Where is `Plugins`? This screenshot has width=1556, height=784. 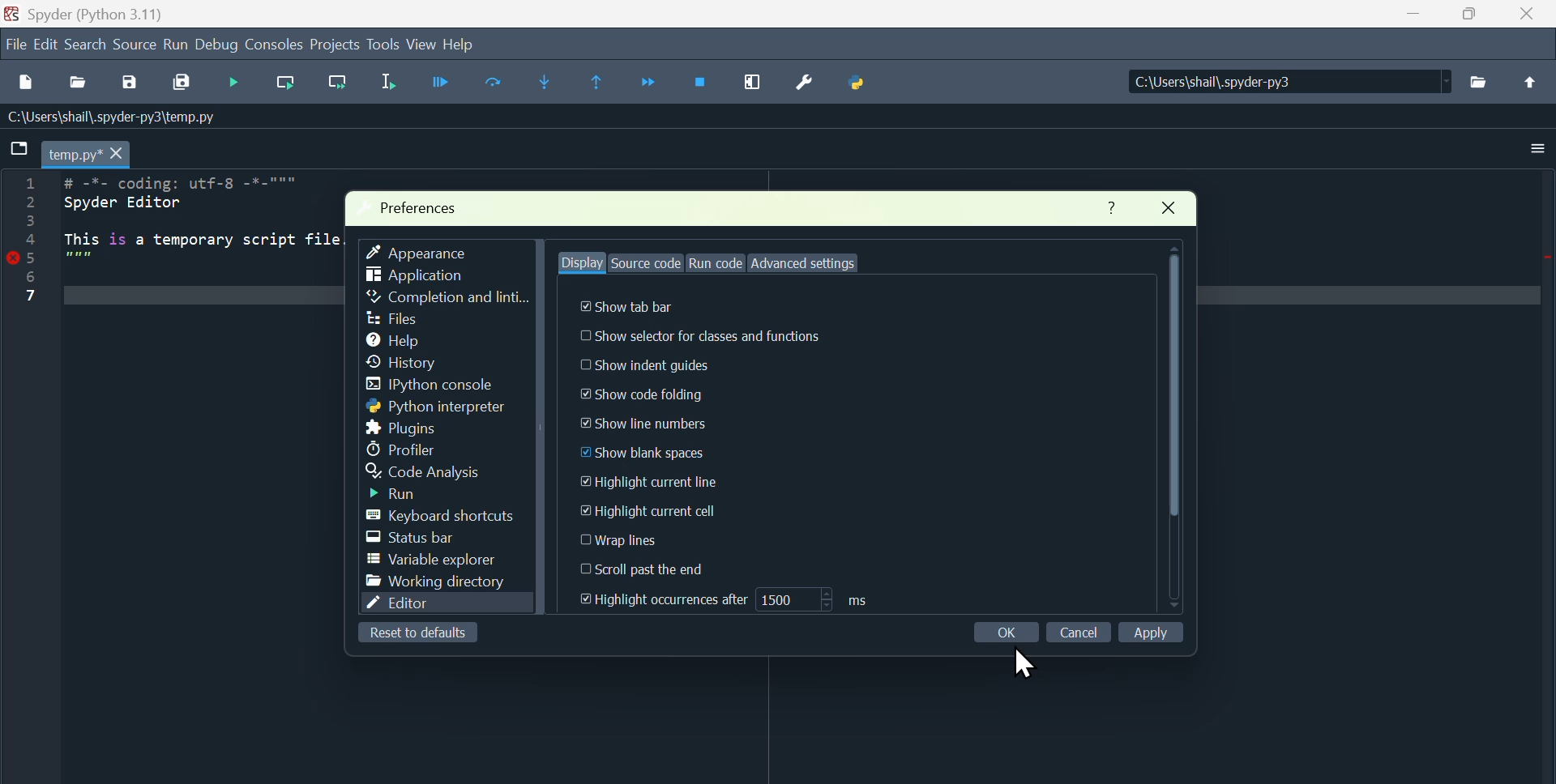
Plugins is located at coordinates (412, 428).